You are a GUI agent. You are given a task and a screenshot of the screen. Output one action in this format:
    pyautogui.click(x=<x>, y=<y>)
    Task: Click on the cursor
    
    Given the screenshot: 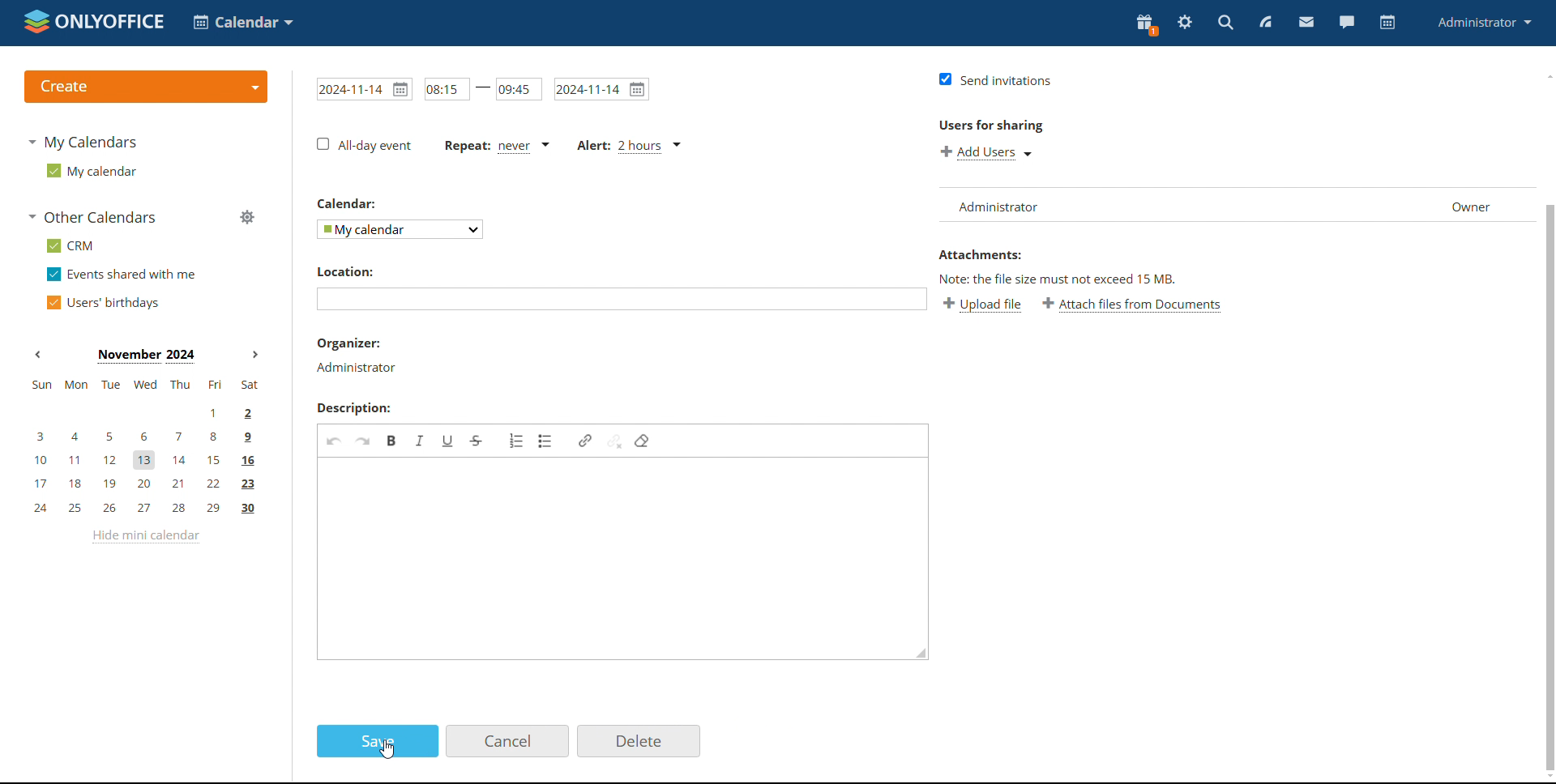 What is the action you would take?
    pyautogui.click(x=390, y=753)
    